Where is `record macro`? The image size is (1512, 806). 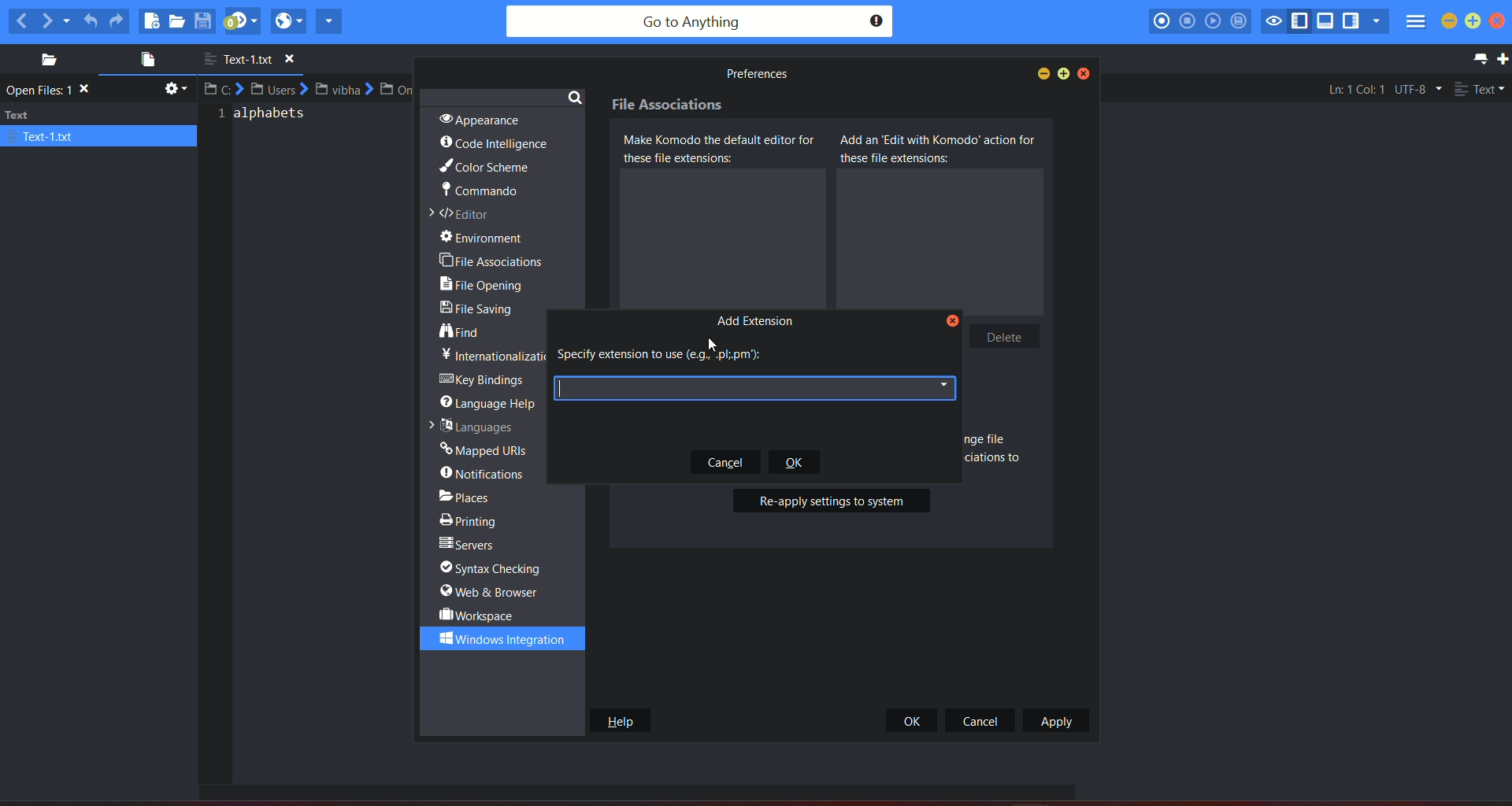
record macro is located at coordinates (1162, 20).